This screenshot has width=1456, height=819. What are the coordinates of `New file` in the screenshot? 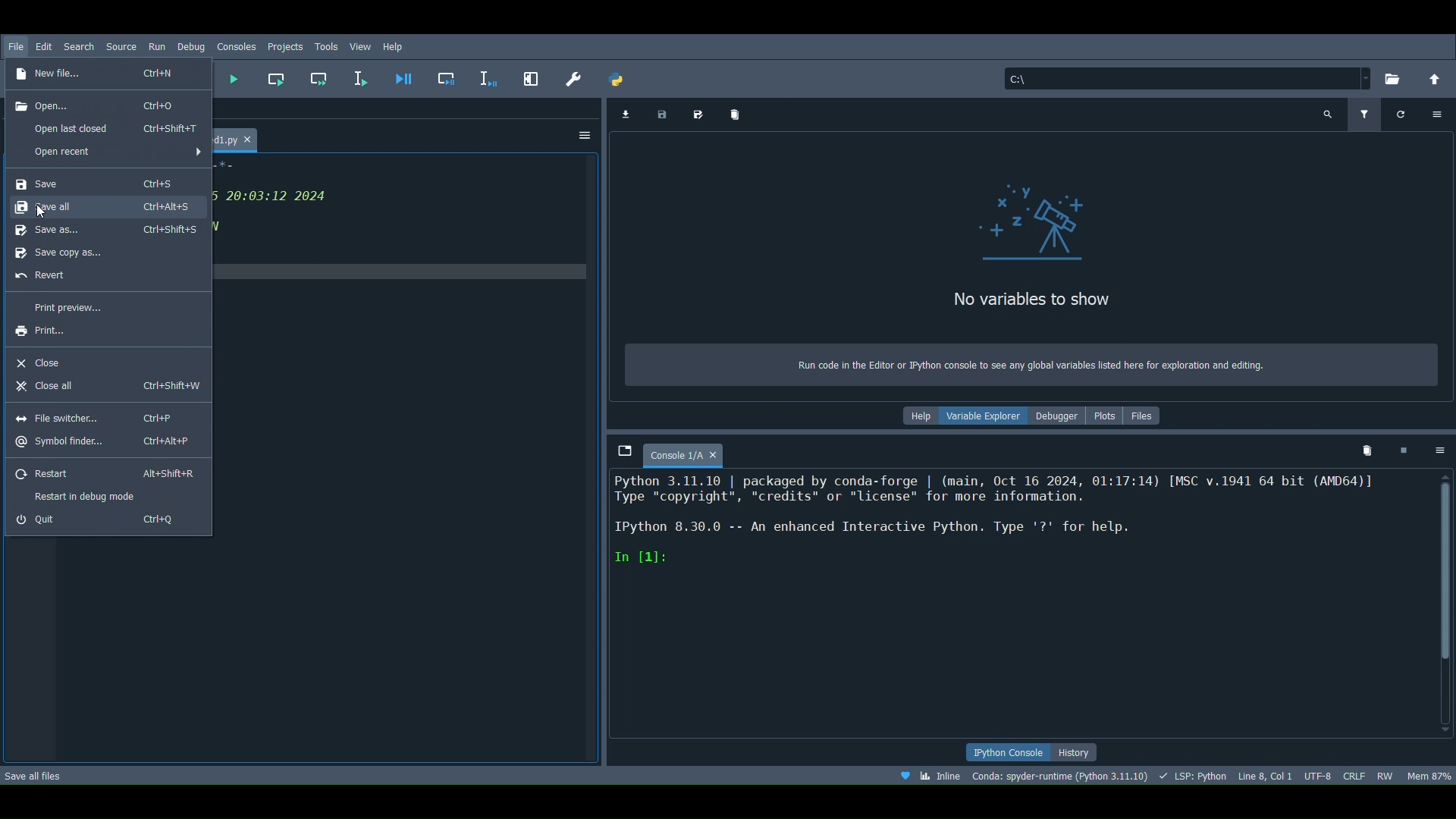 It's located at (101, 74).